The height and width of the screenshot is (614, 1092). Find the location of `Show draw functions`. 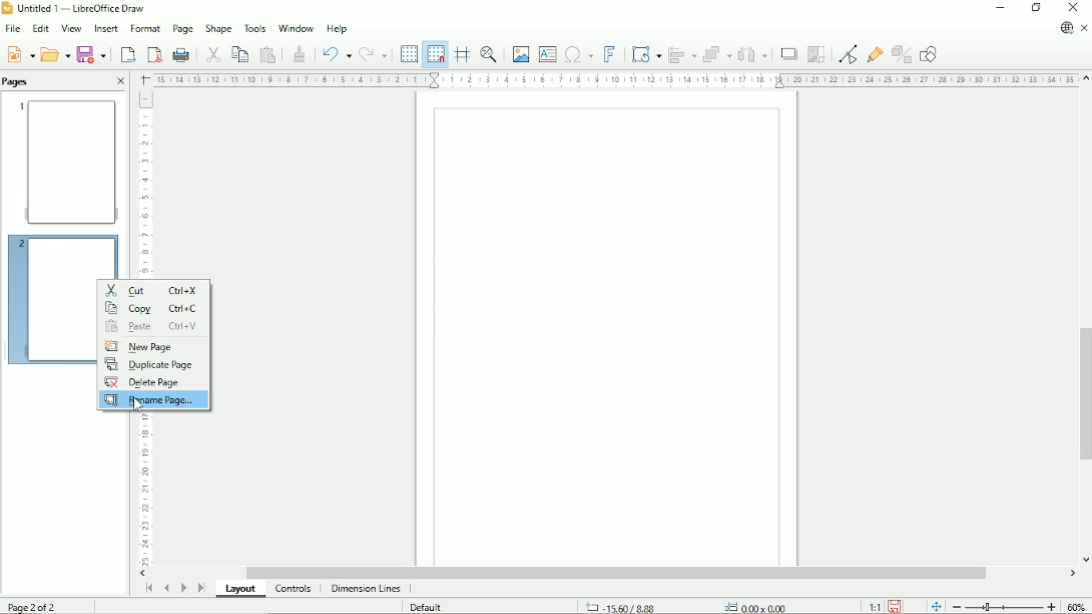

Show draw functions is located at coordinates (928, 54).